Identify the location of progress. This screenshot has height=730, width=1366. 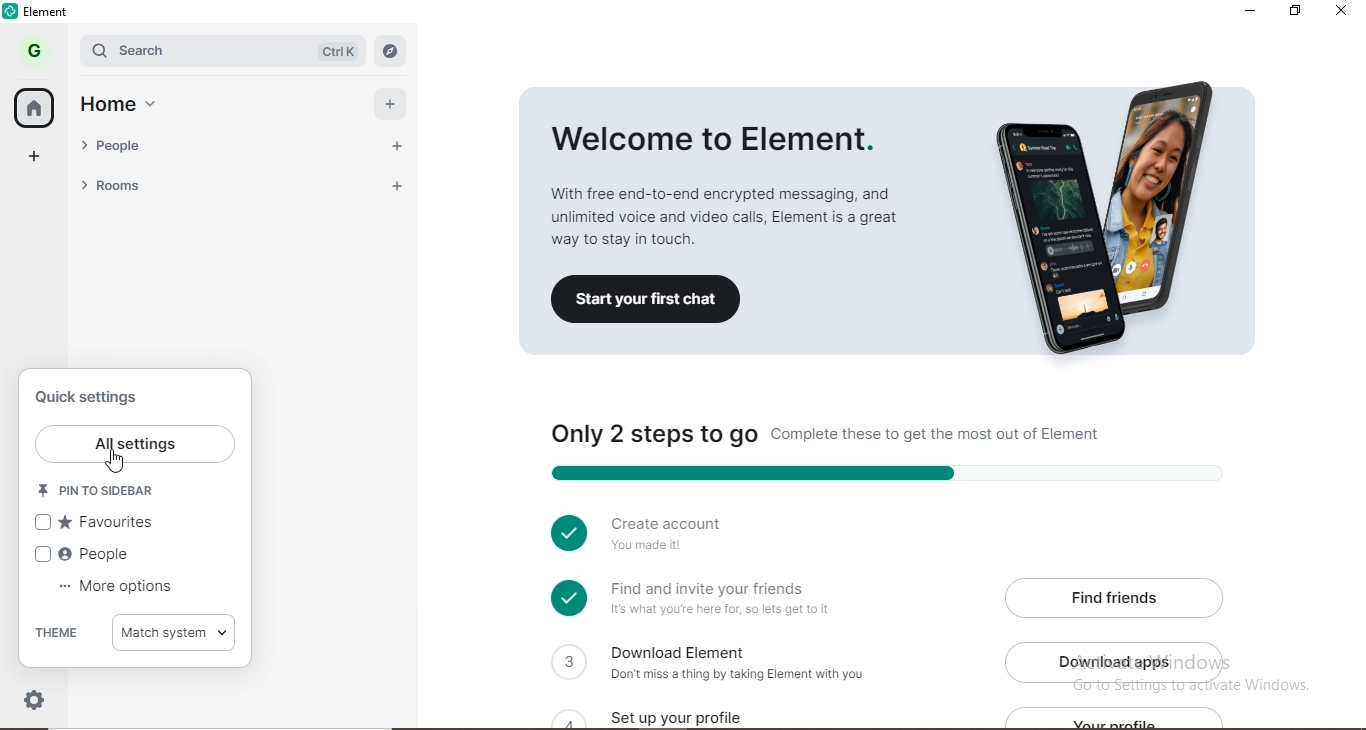
(880, 472).